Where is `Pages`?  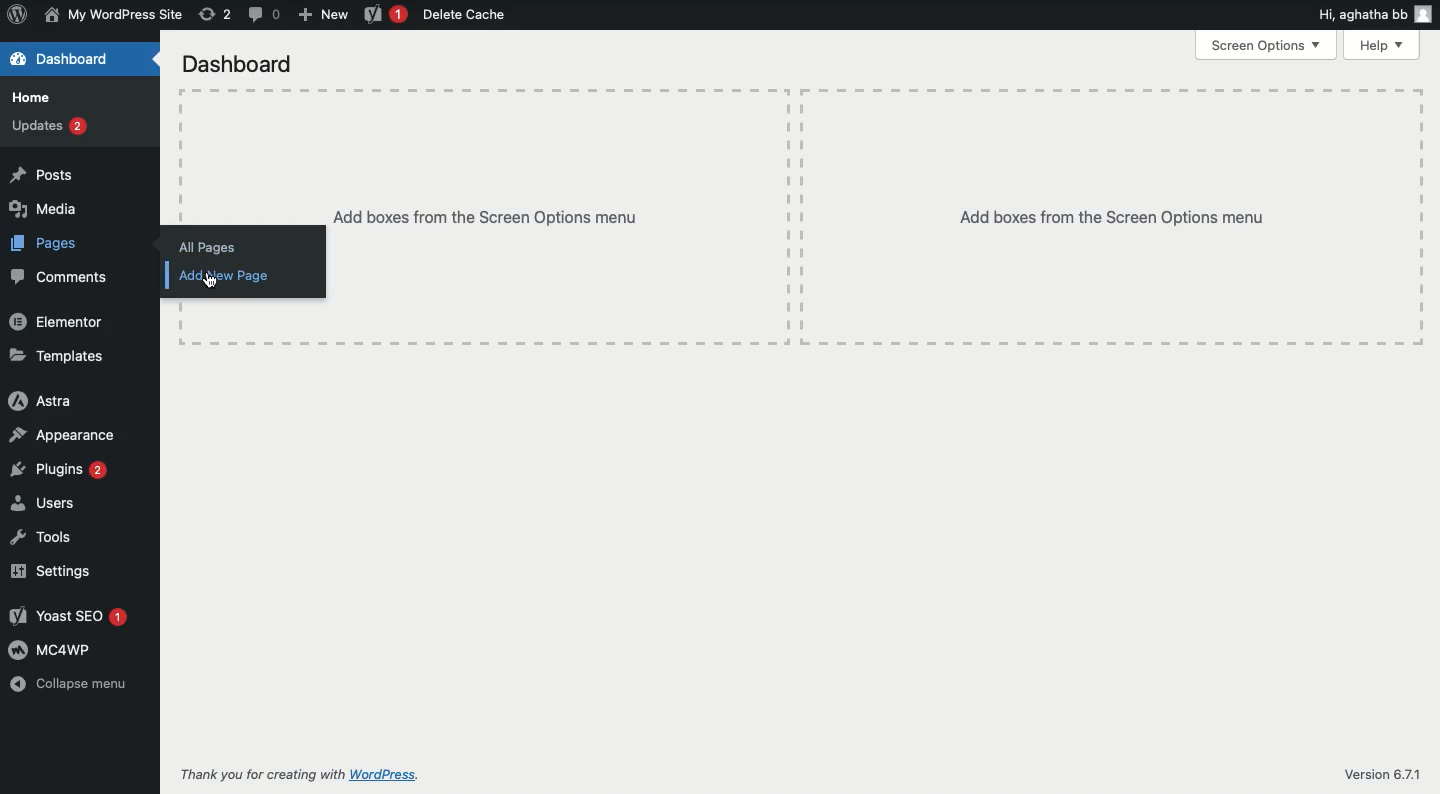 Pages is located at coordinates (47, 242).